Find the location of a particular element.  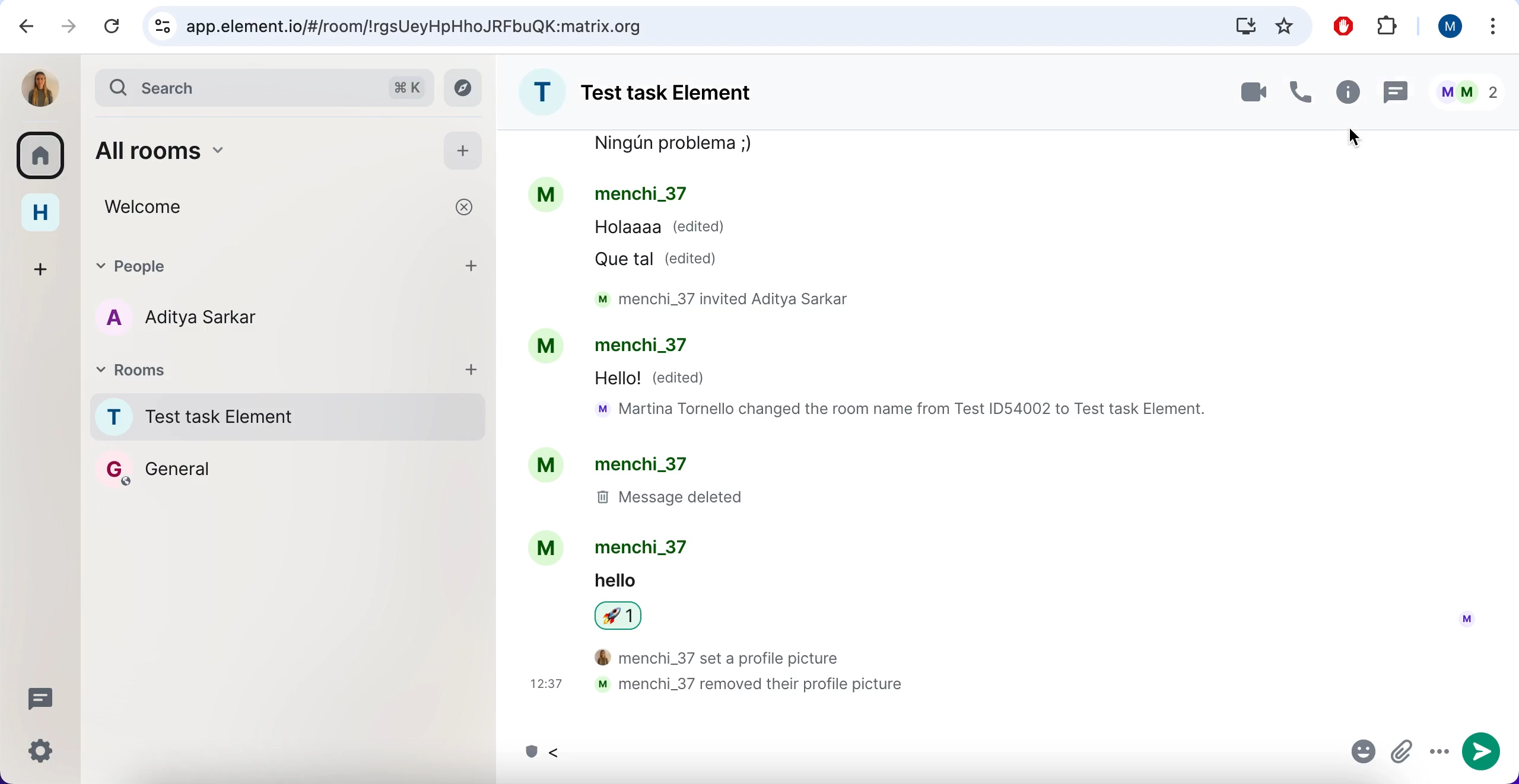

all rooms is located at coordinates (42, 160).